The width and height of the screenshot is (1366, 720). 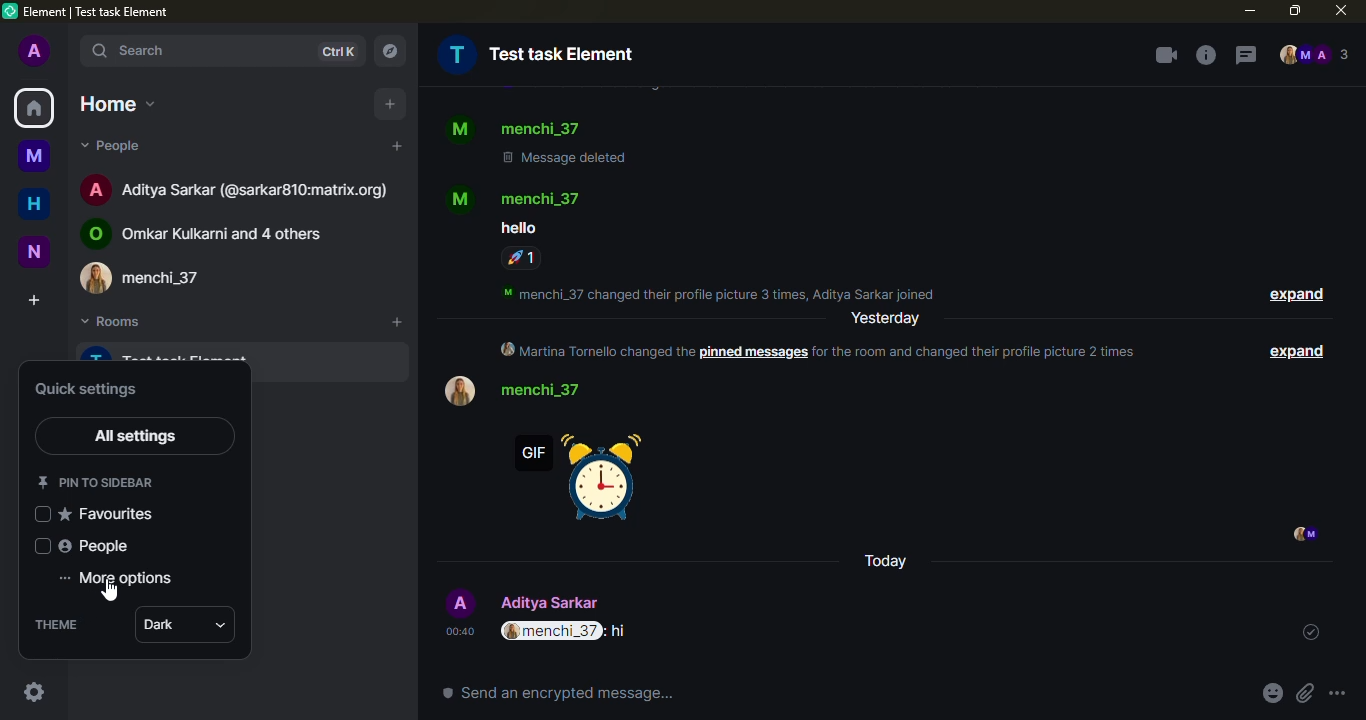 I want to click on send an encrypted message, so click(x=559, y=693).